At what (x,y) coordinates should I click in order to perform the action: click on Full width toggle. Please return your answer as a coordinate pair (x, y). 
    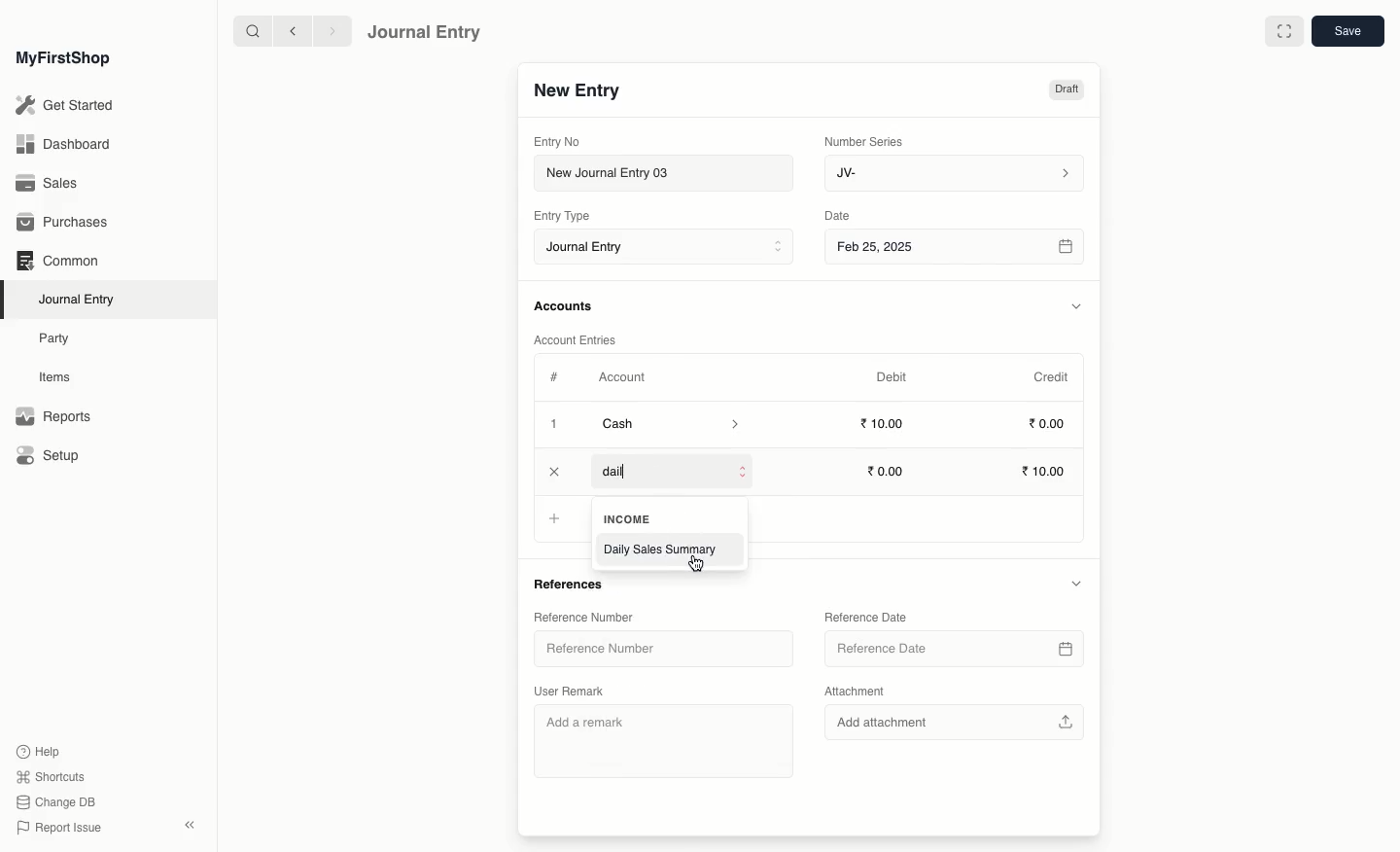
    Looking at the image, I should click on (1282, 32).